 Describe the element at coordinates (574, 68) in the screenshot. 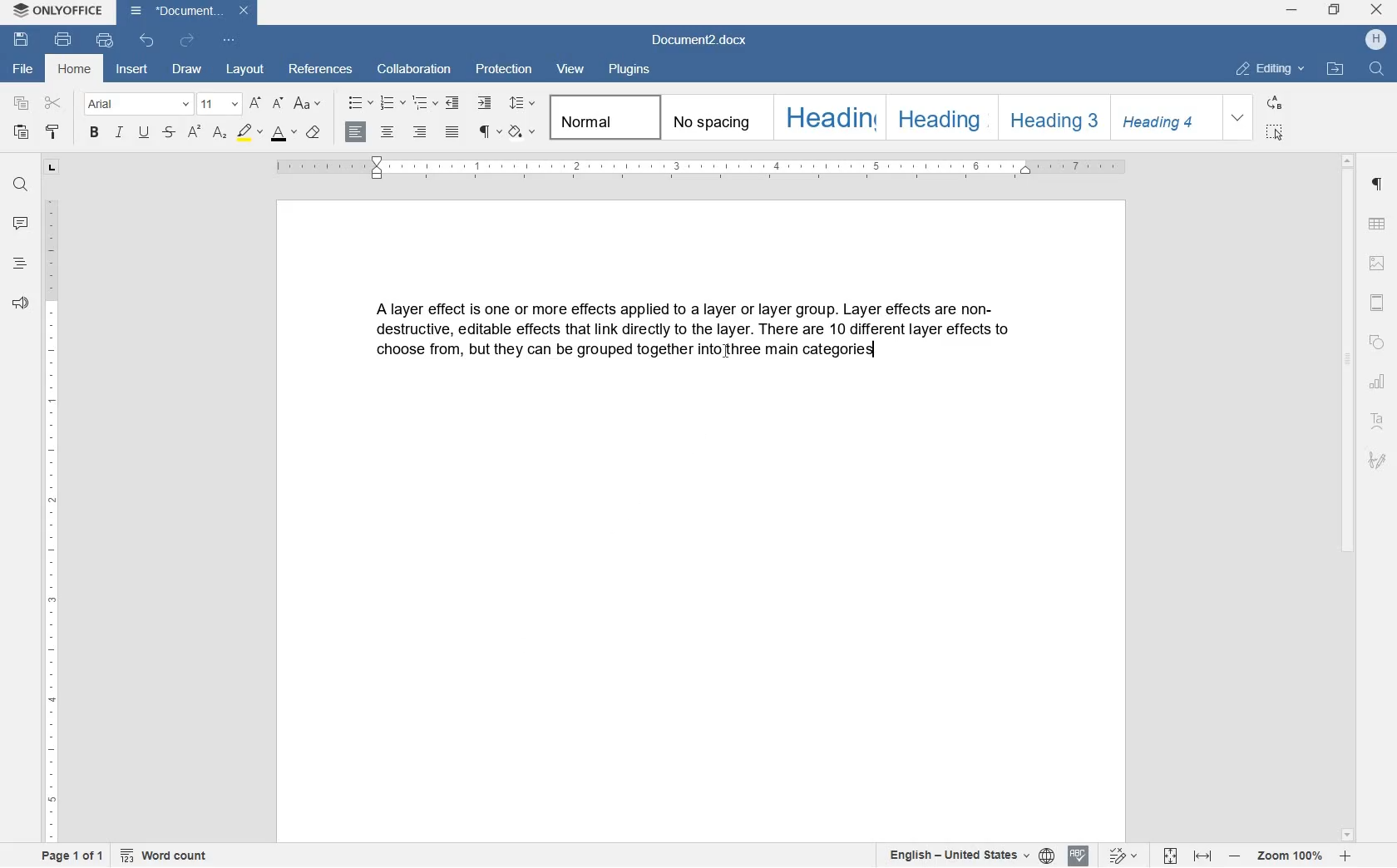

I see `view` at that location.